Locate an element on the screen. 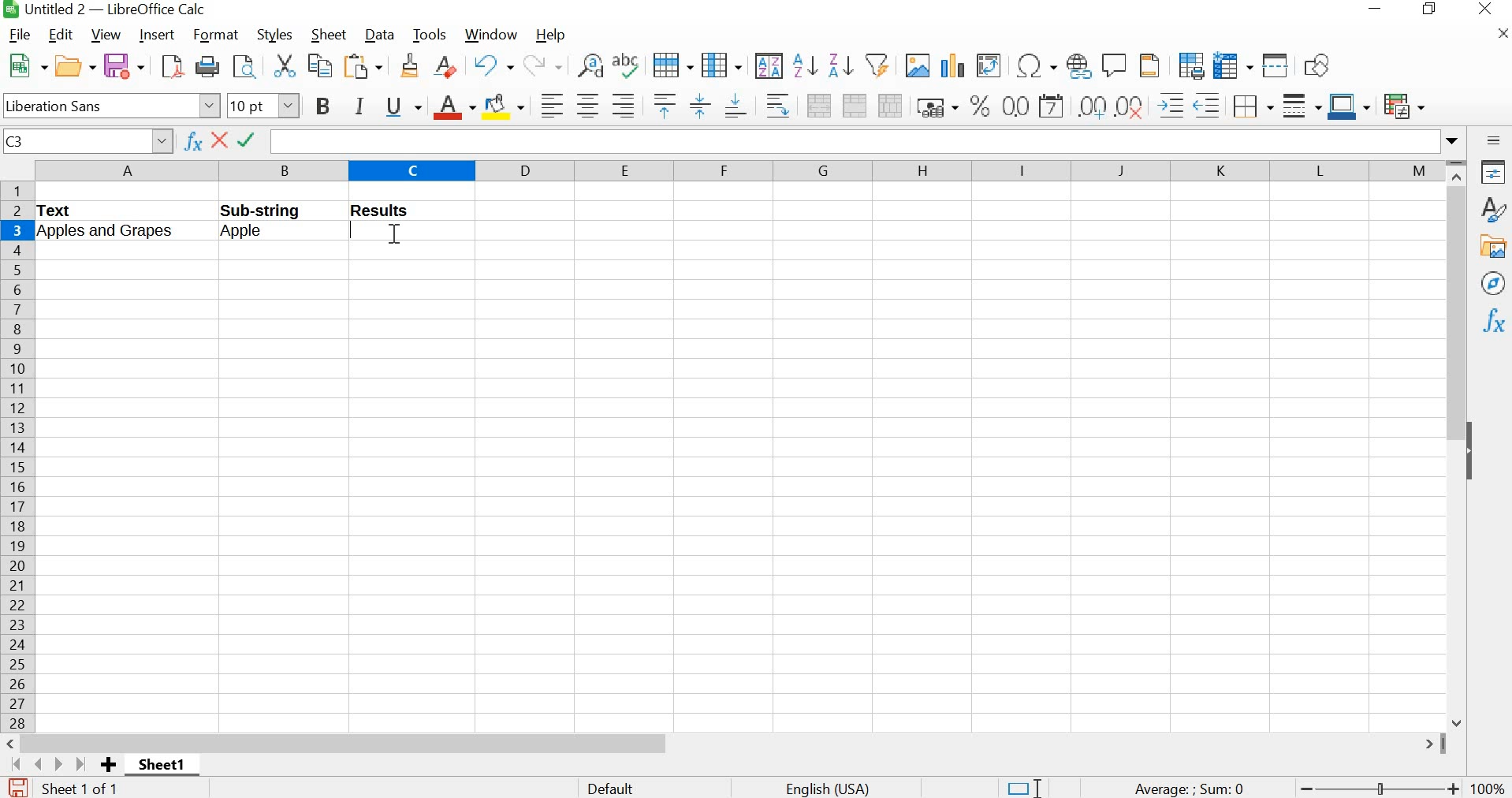 The width and height of the screenshot is (1512, 798). cells is located at coordinates (737, 491).